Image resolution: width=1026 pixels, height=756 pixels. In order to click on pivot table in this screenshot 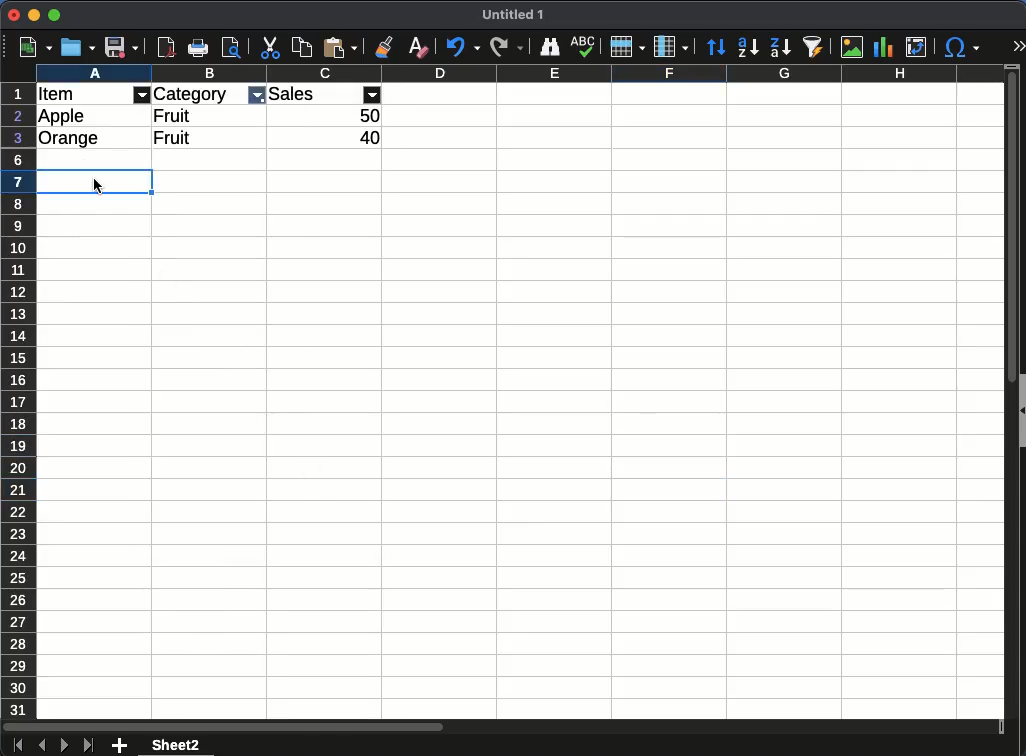, I will do `click(920, 44)`.